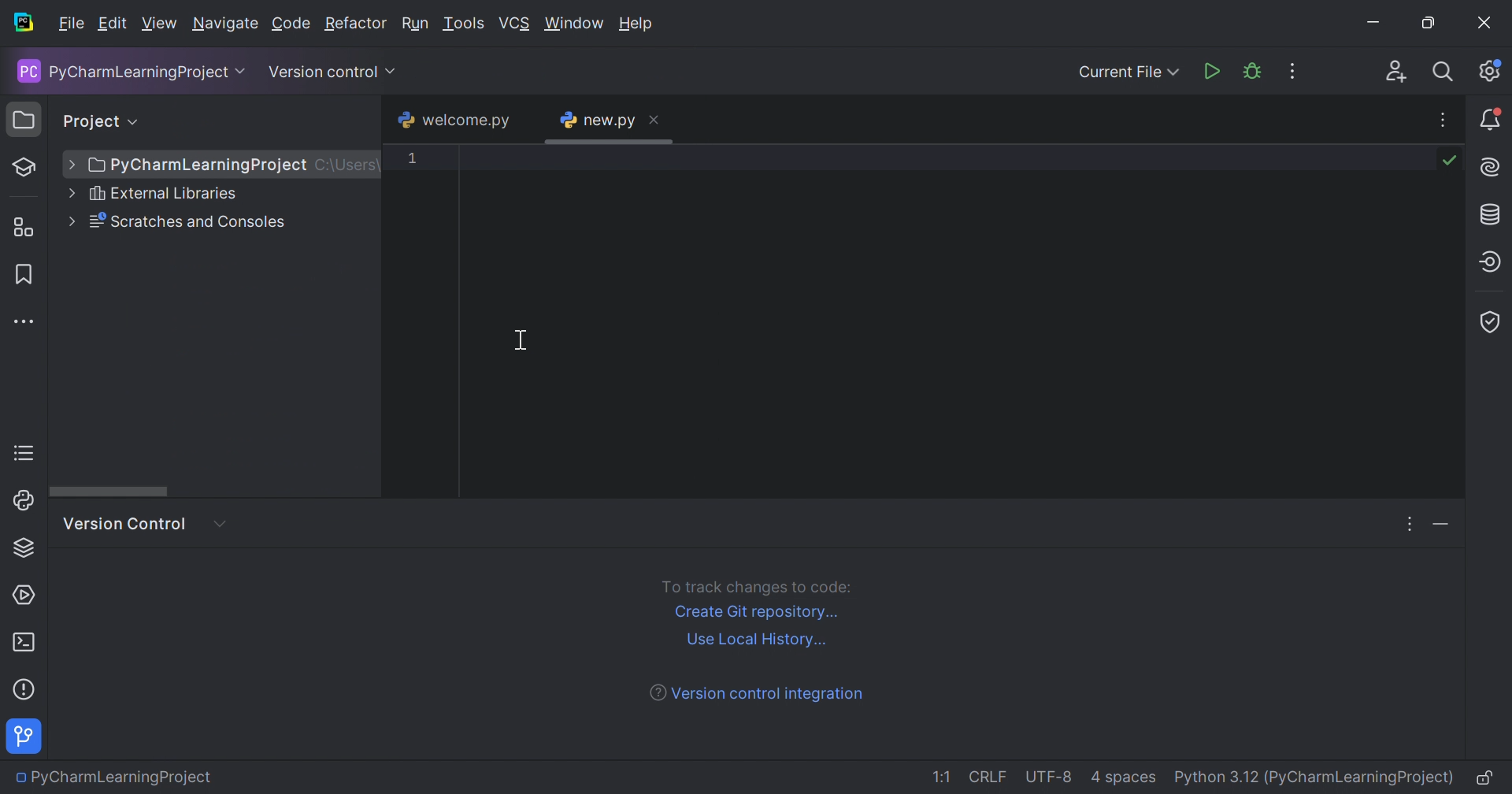 The height and width of the screenshot is (794, 1512). I want to click on PyCharm icon, so click(27, 24).